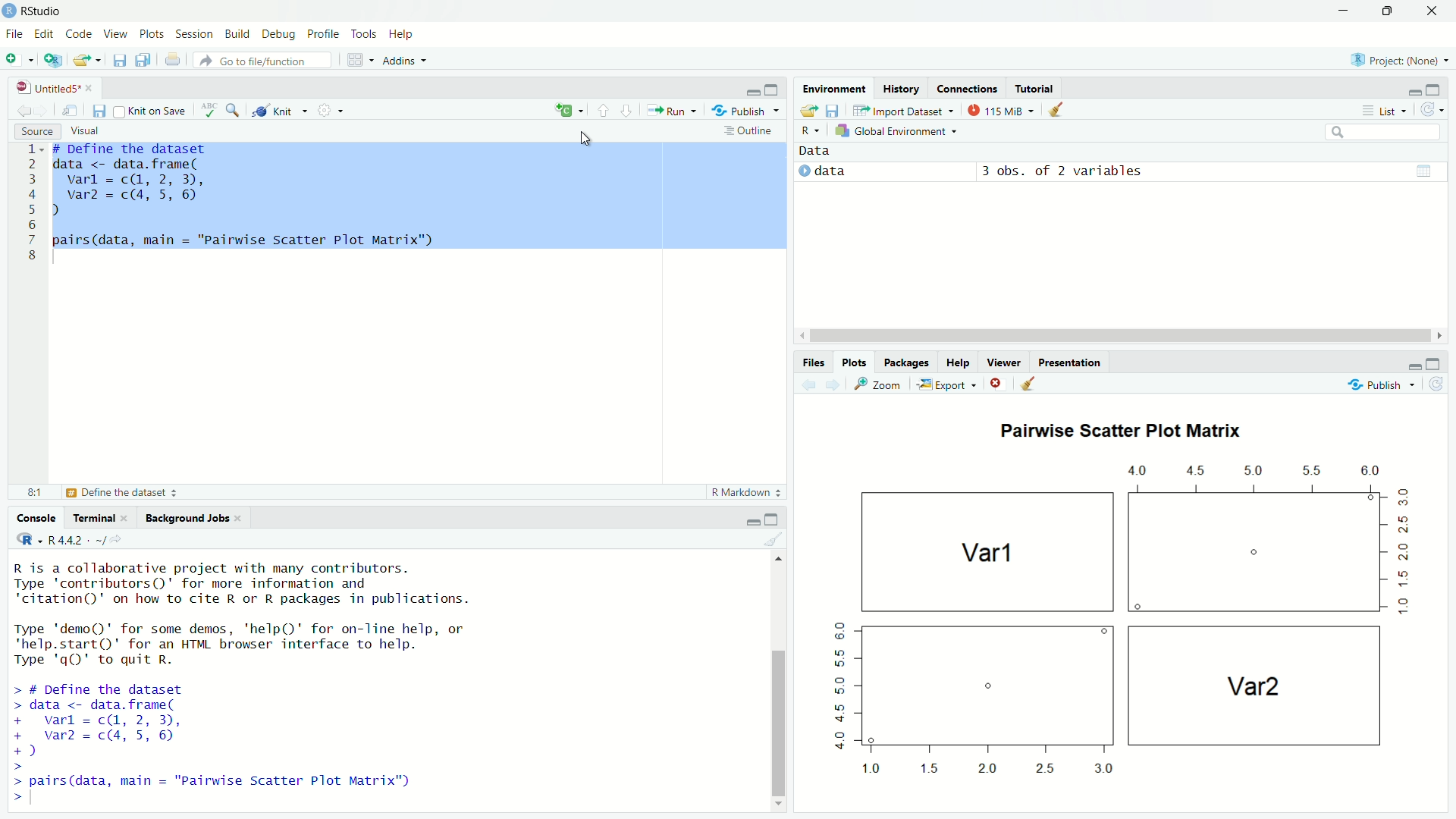  I want to click on Plots, so click(855, 362).